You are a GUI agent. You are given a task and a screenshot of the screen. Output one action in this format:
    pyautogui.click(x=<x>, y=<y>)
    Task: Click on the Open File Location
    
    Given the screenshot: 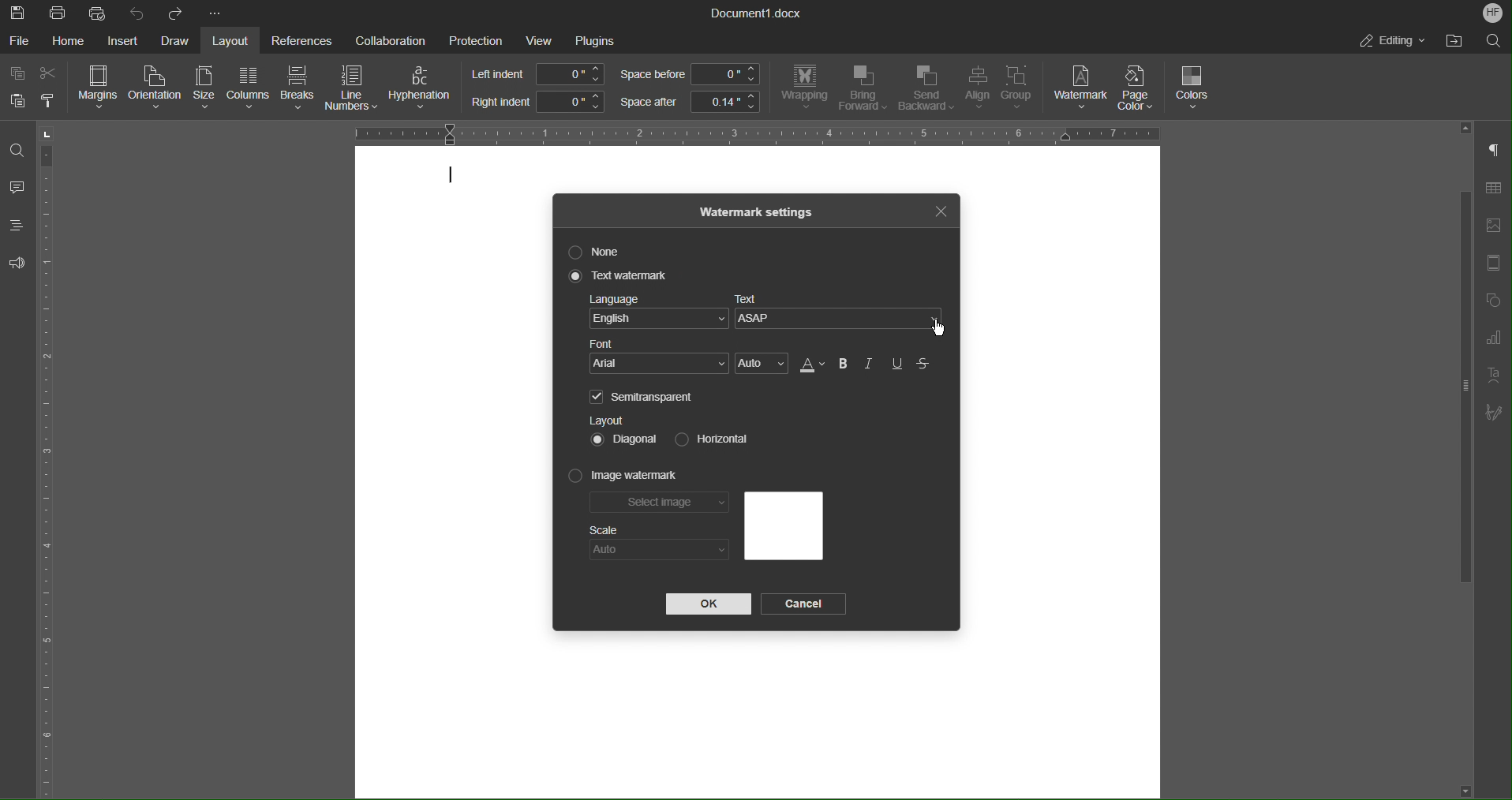 What is the action you would take?
    pyautogui.click(x=1450, y=41)
    